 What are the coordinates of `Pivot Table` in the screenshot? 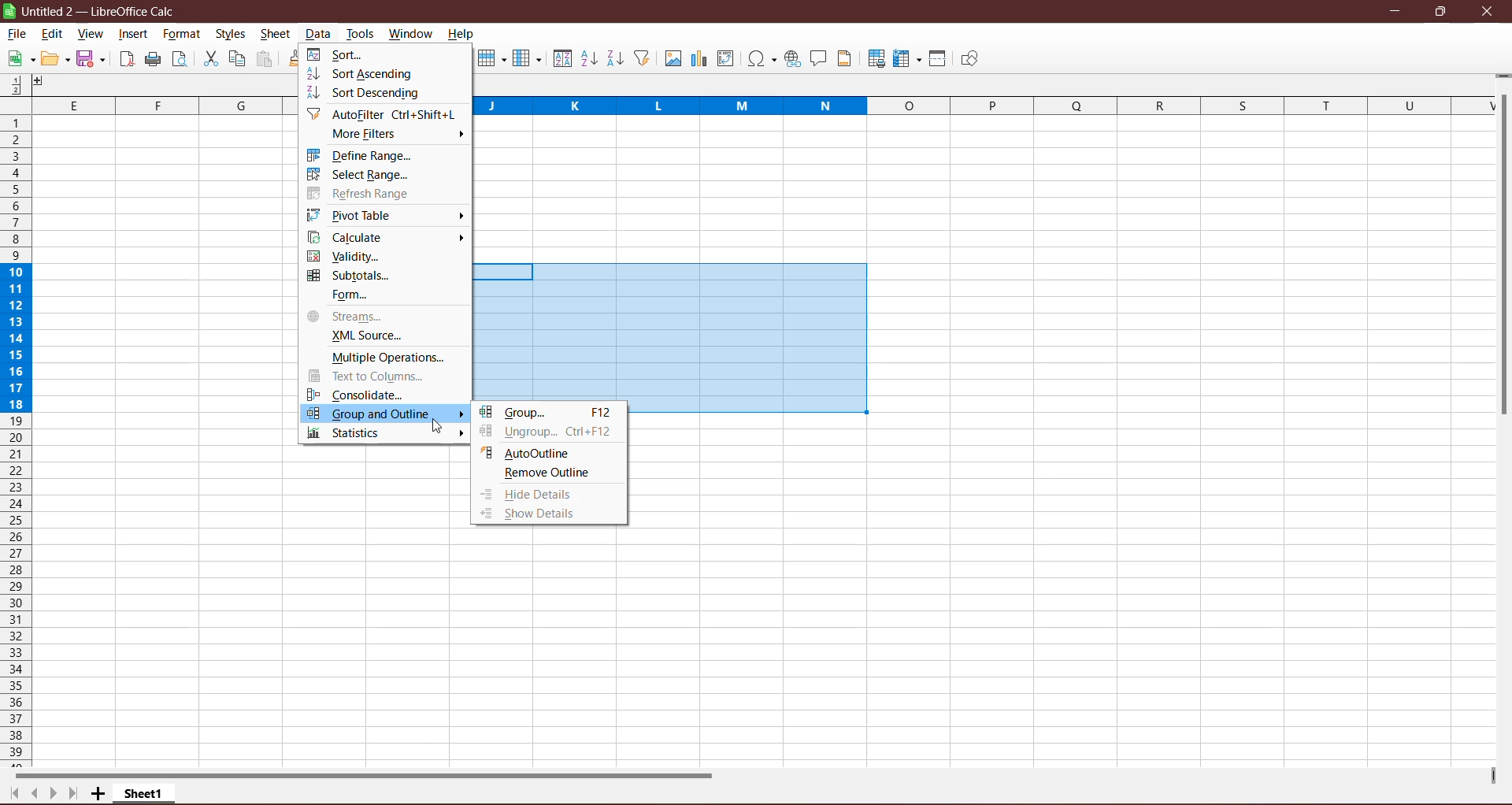 It's located at (355, 215).